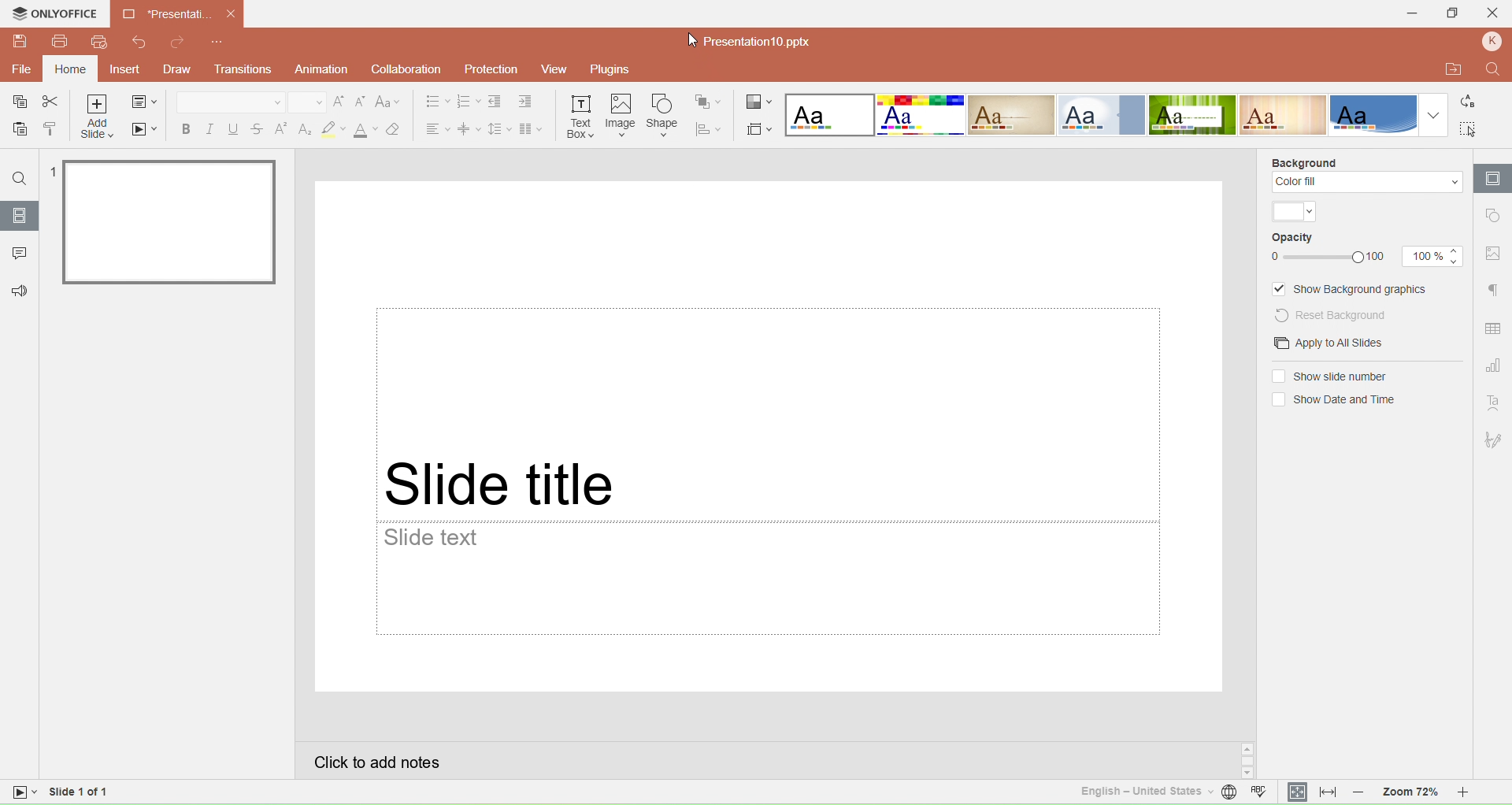 The height and width of the screenshot is (805, 1512). Describe the element at coordinates (1342, 314) in the screenshot. I see `Rest background` at that location.